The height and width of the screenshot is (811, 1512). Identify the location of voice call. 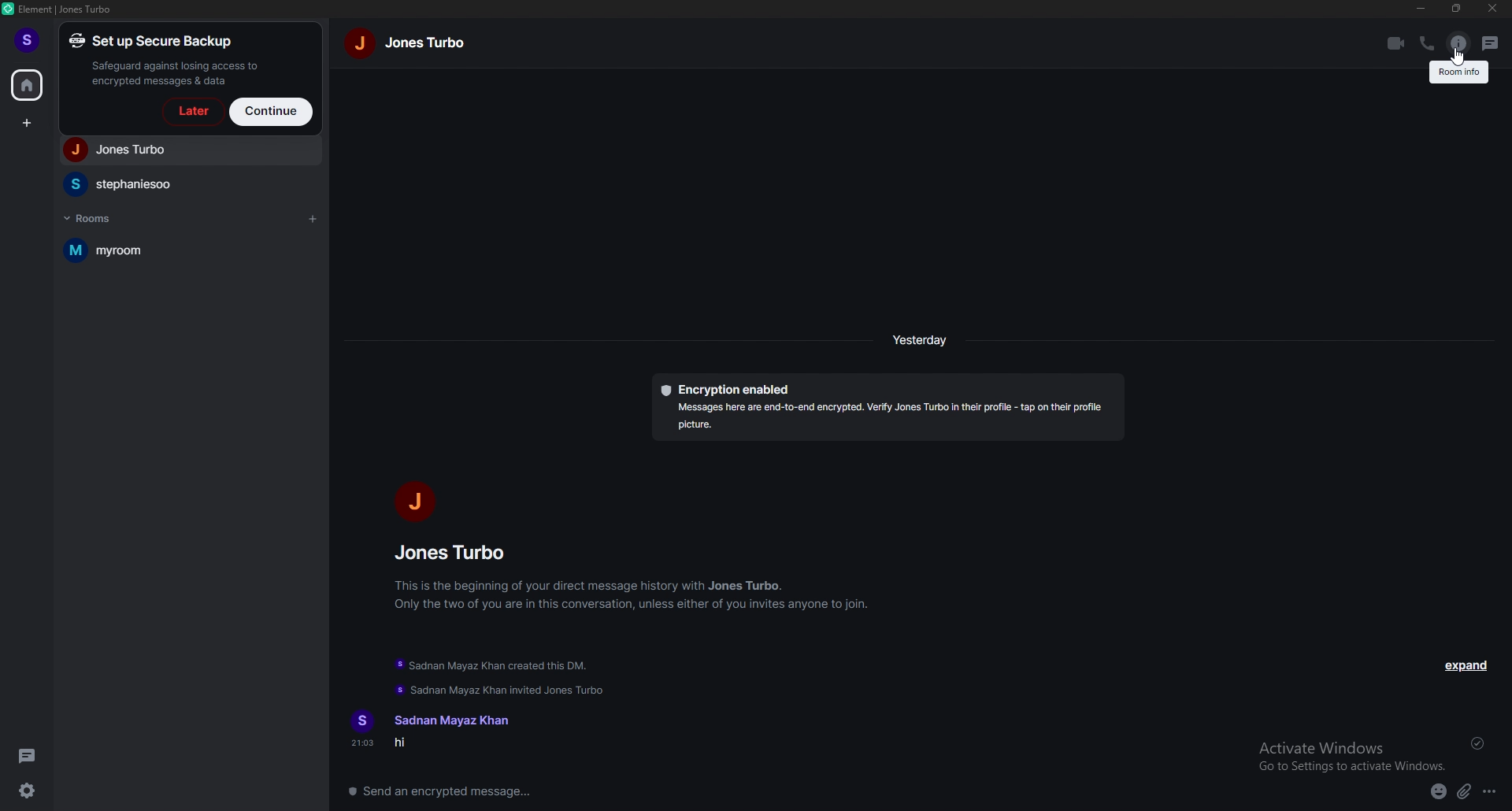
(1427, 43).